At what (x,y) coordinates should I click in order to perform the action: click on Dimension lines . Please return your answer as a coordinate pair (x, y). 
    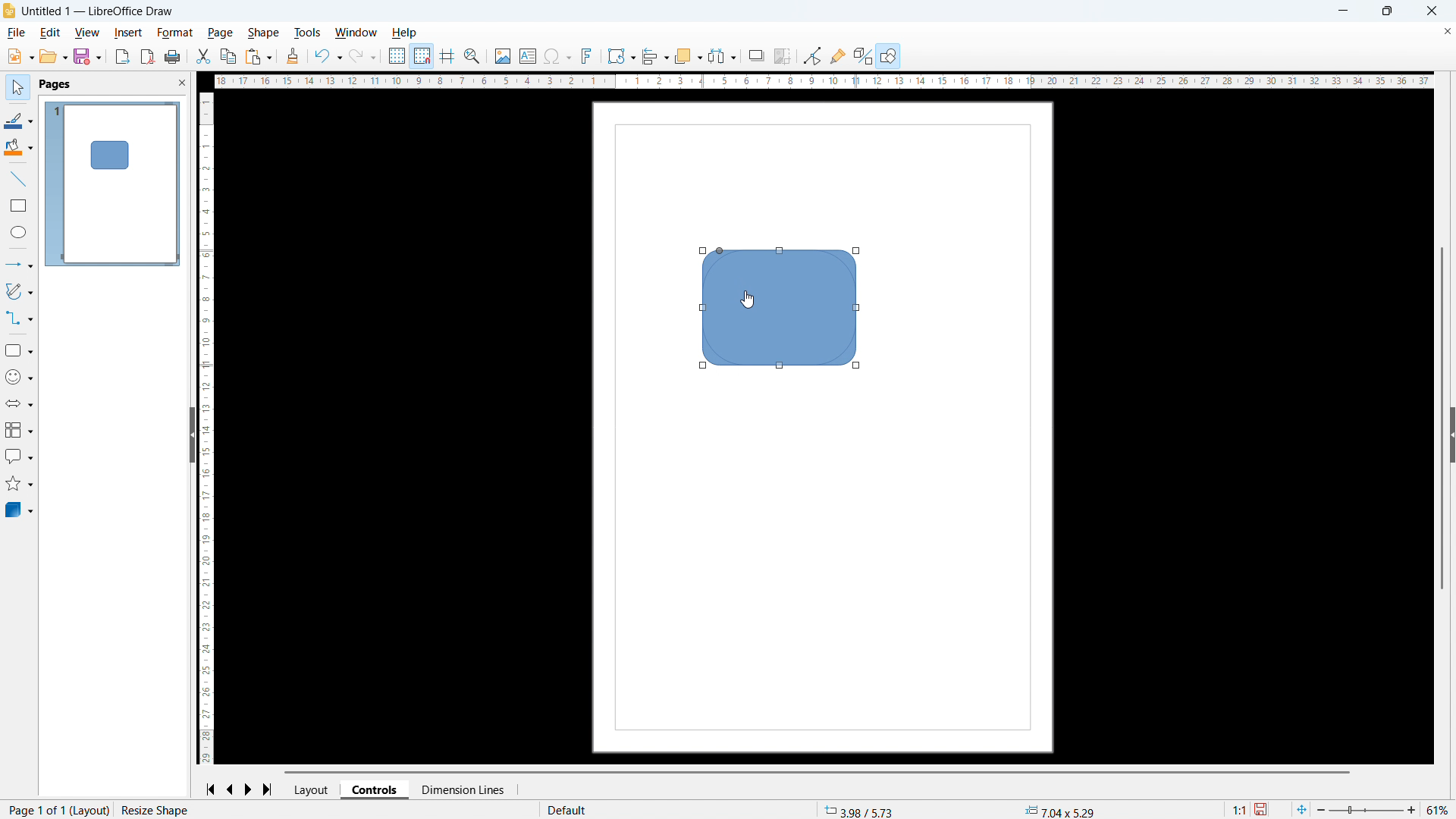
    Looking at the image, I should click on (462, 790).